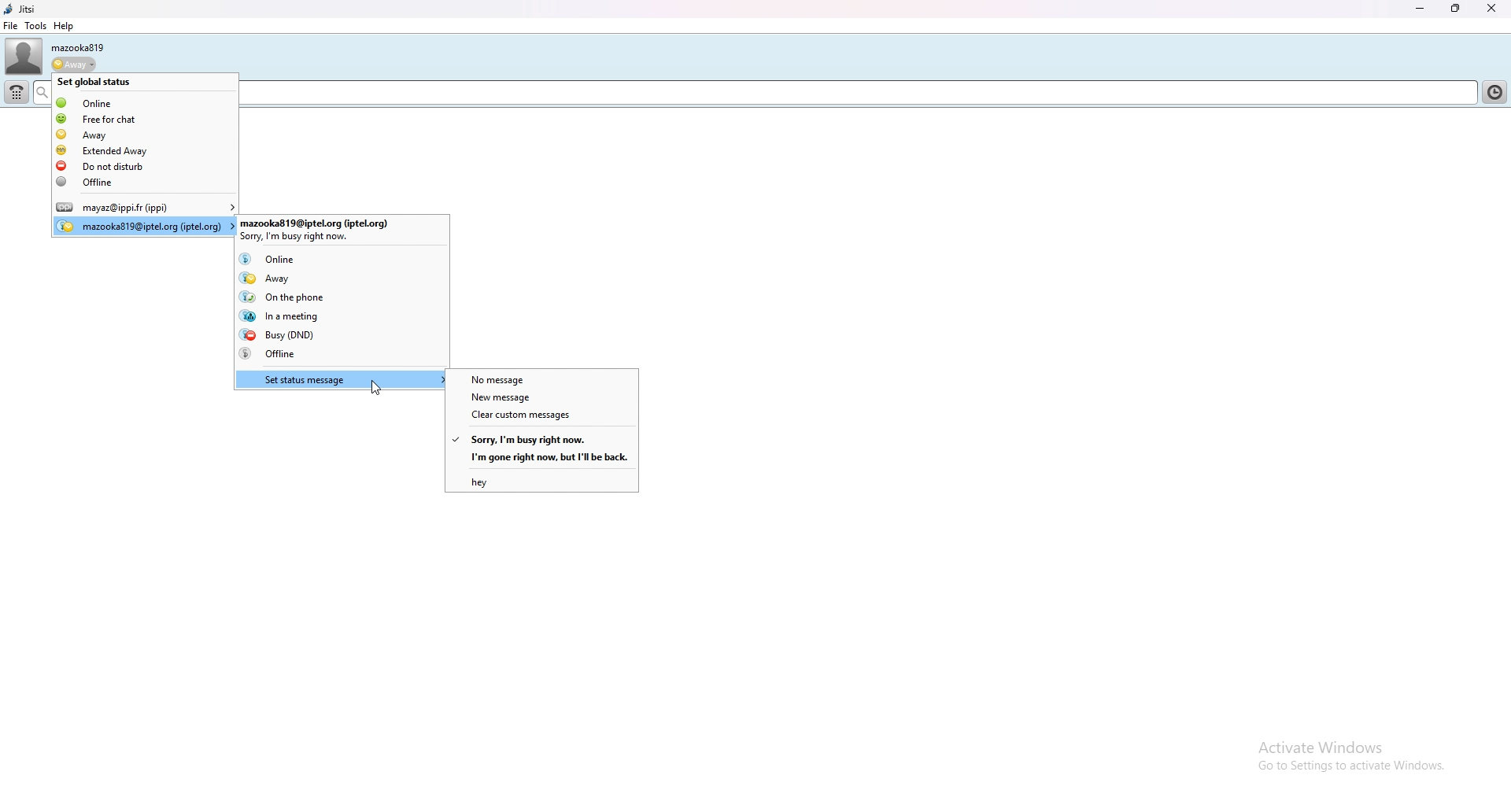 Image resolution: width=1511 pixels, height=812 pixels. I want to click on away, so click(347, 276).